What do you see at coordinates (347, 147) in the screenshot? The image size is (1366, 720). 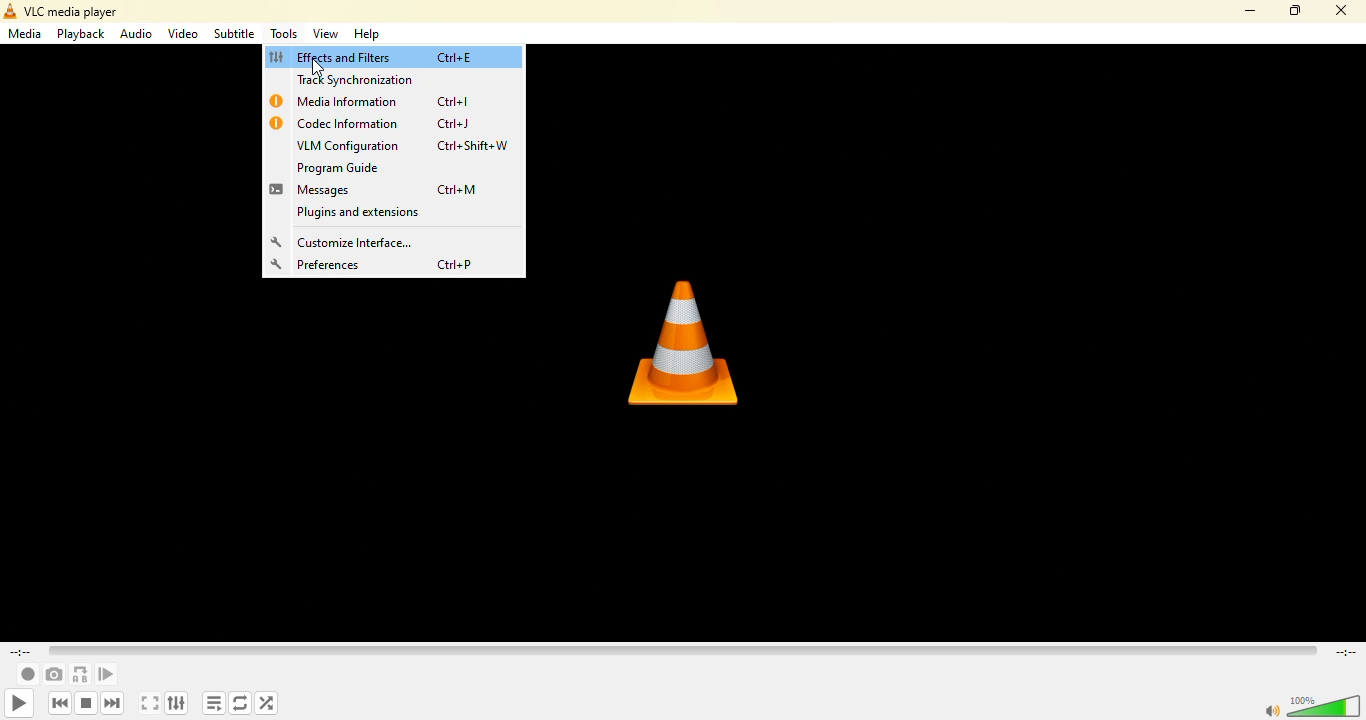 I see `vlm configuration` at bounding box center [347, 147].